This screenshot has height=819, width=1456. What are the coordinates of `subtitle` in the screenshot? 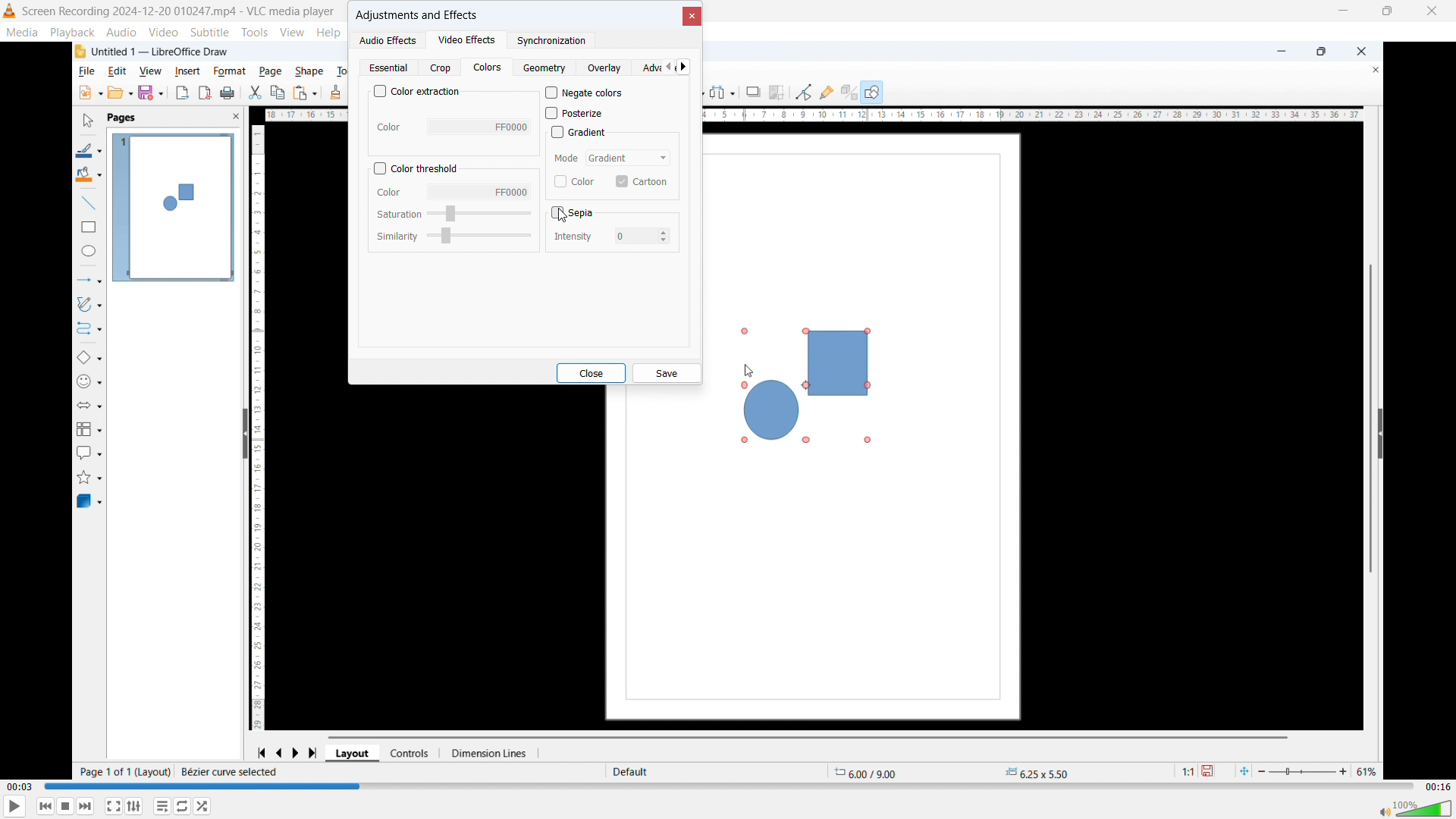 It's located at (210, 31).